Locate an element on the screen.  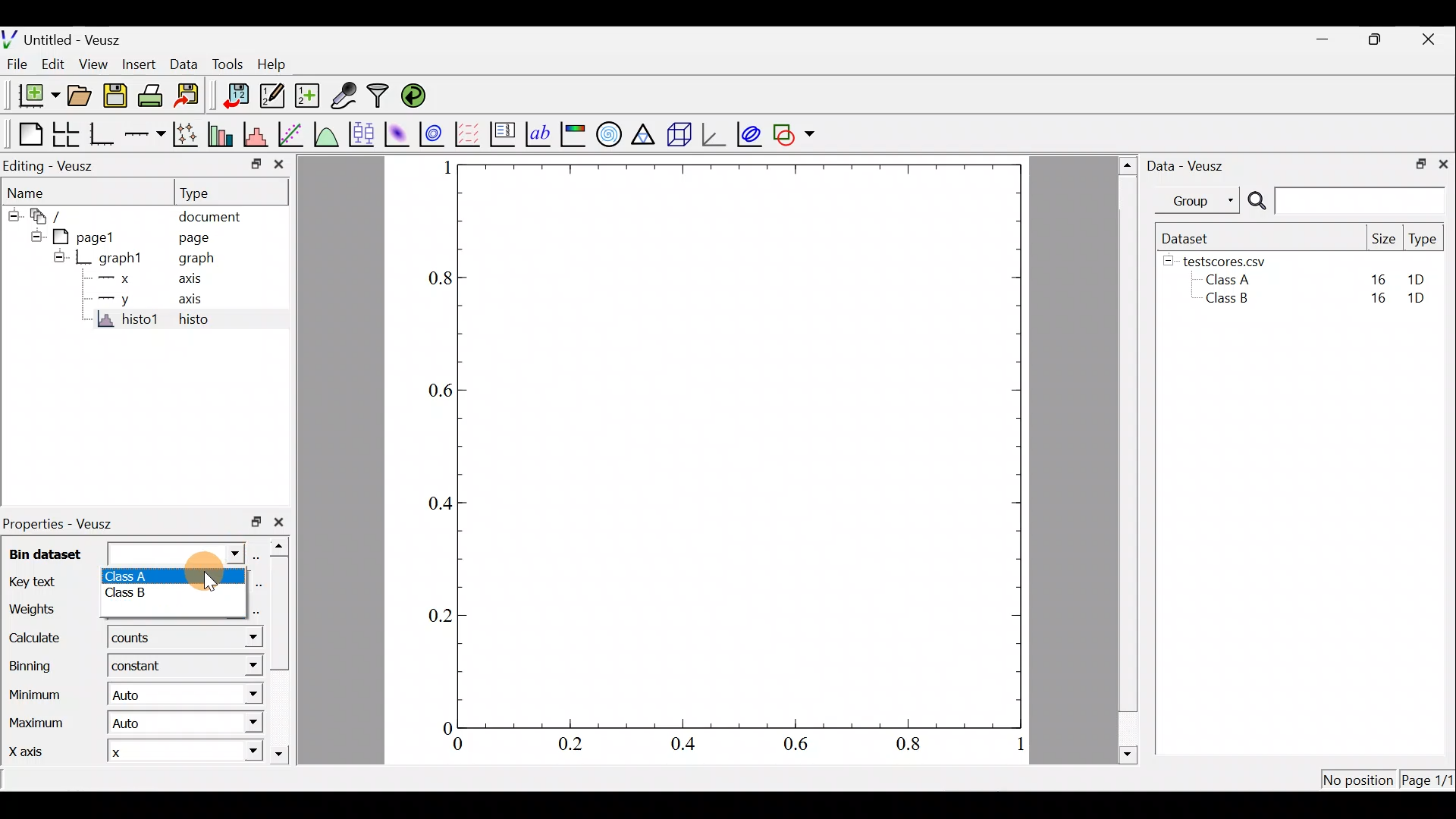
Reload linked datasets is located at coordinates (415, 96).